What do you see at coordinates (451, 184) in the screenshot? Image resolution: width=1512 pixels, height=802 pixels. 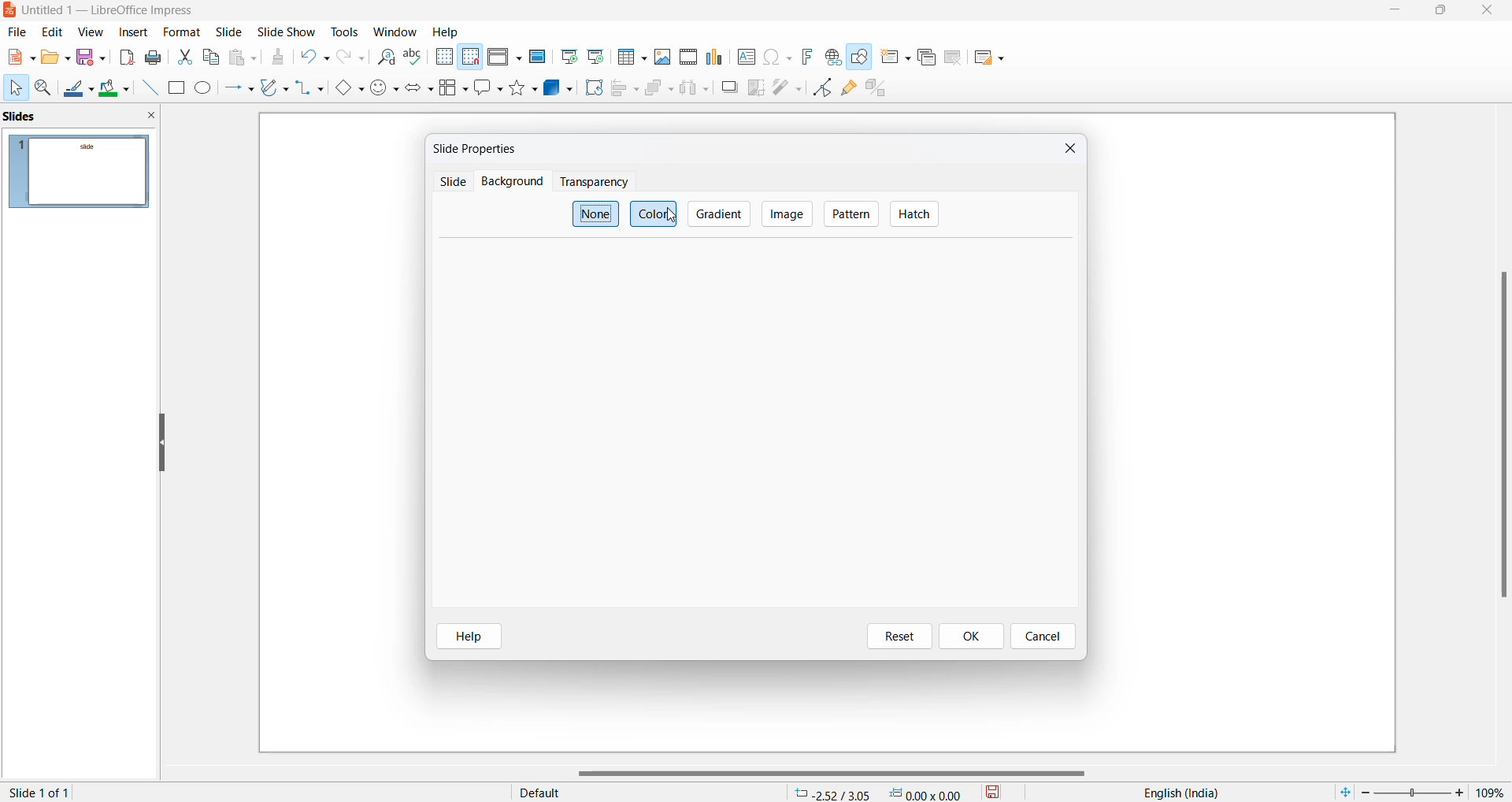 I see `slide` at bounding box center [451, 184].